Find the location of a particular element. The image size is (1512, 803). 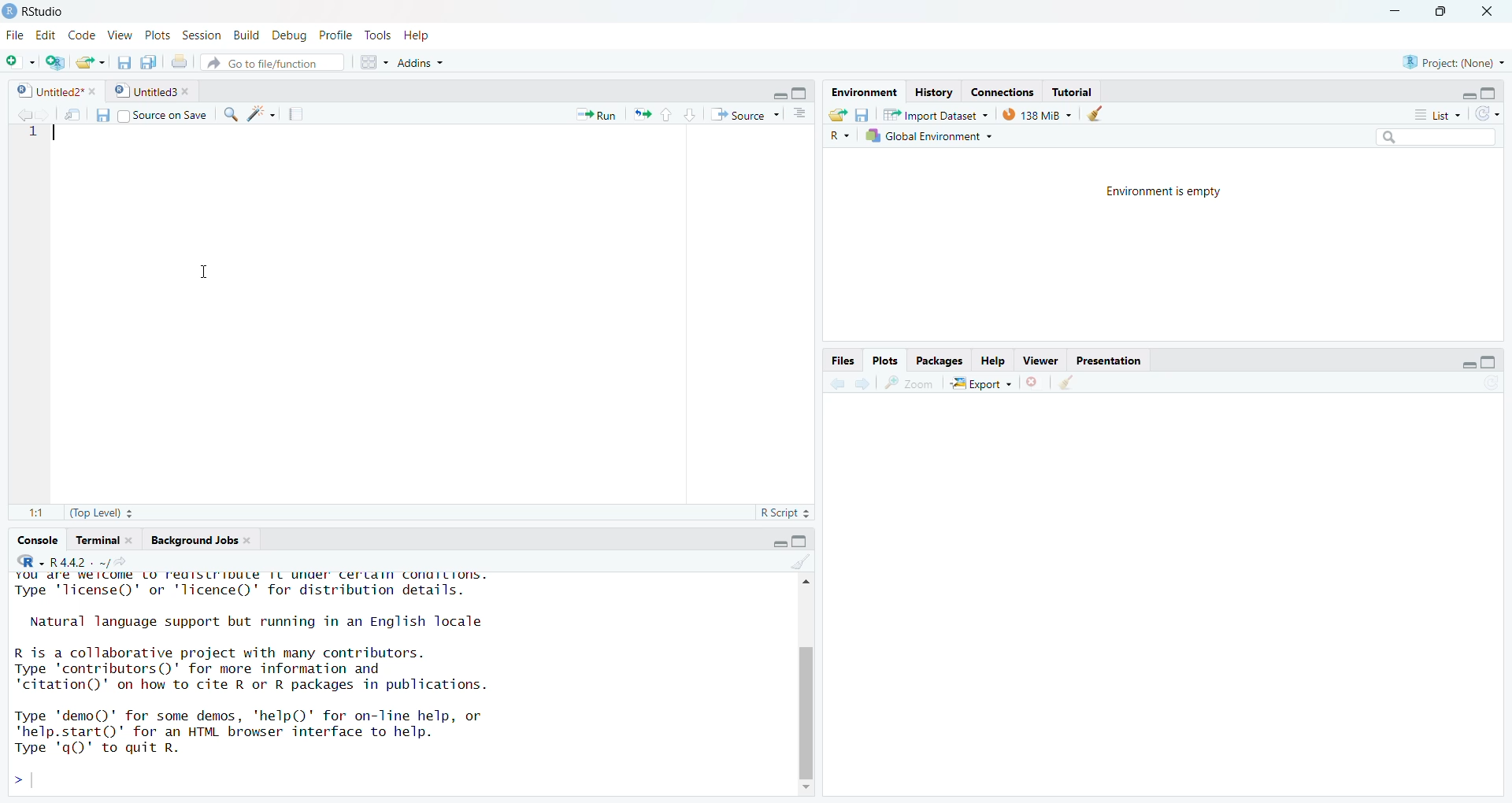

~& Export + is located at coordinates (985, 383).